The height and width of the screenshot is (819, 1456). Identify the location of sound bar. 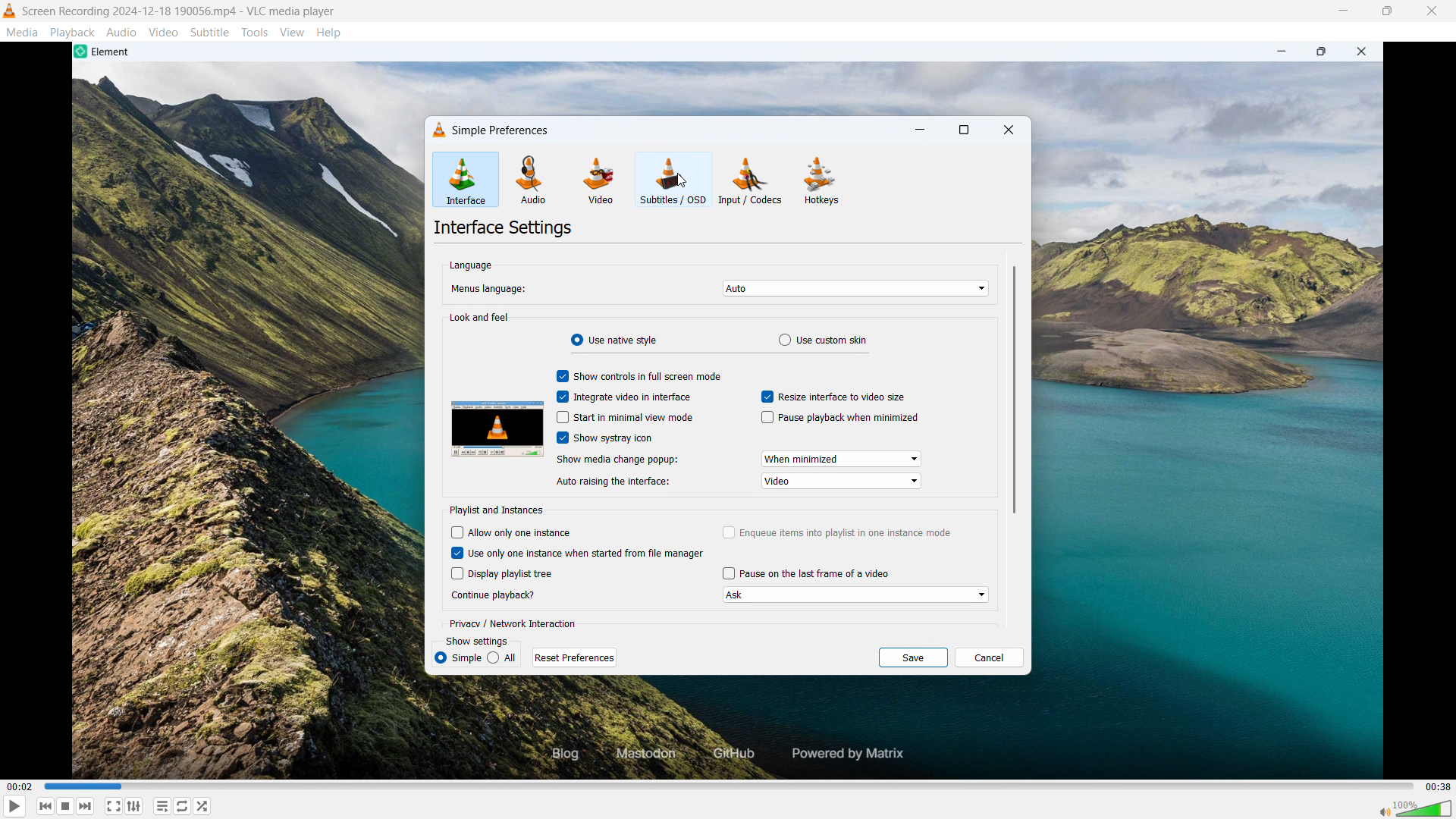
(1414, 808).